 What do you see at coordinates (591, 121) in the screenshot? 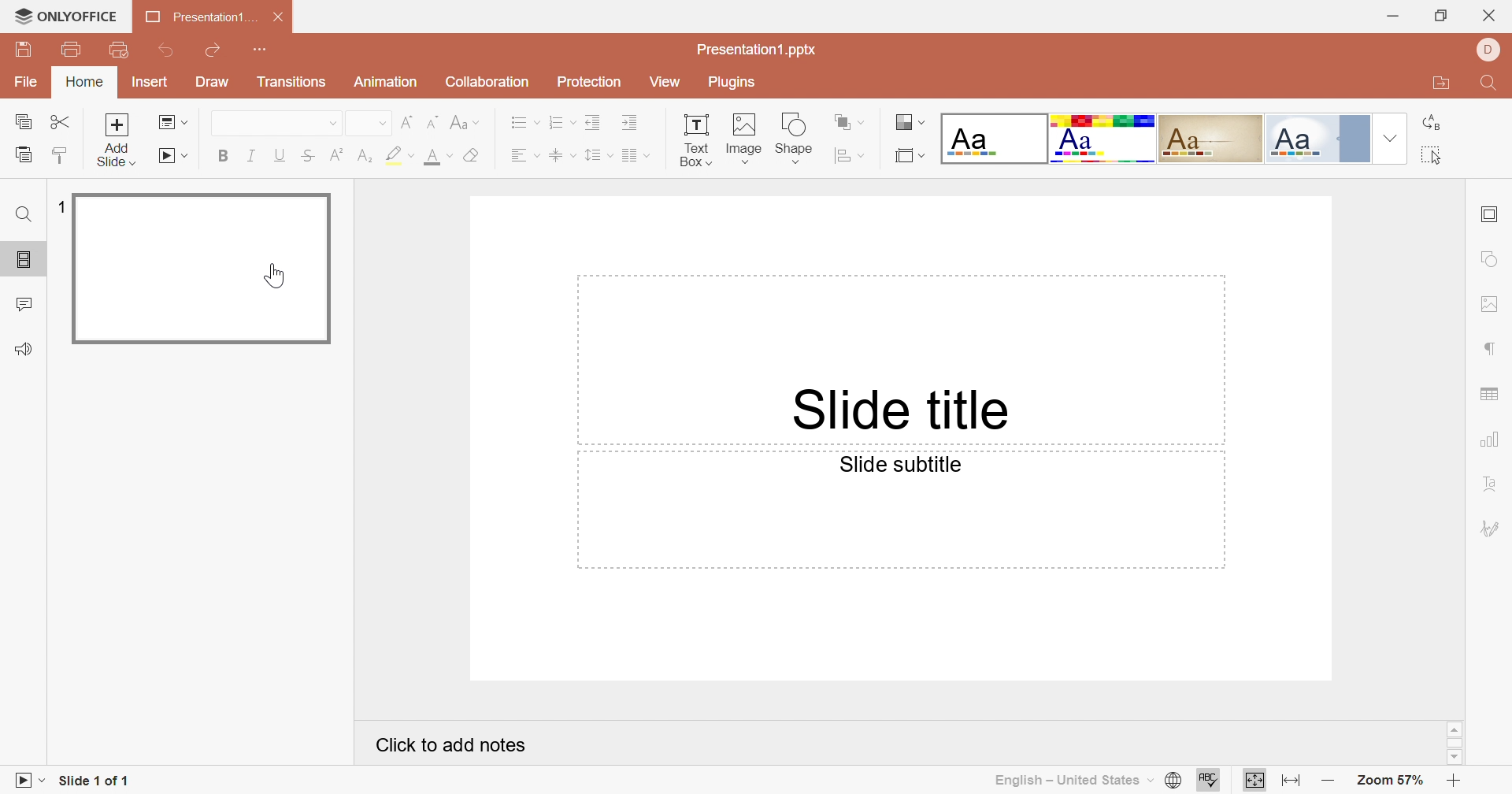
I see `Decrease Indent` at bounding box center [591, 121].